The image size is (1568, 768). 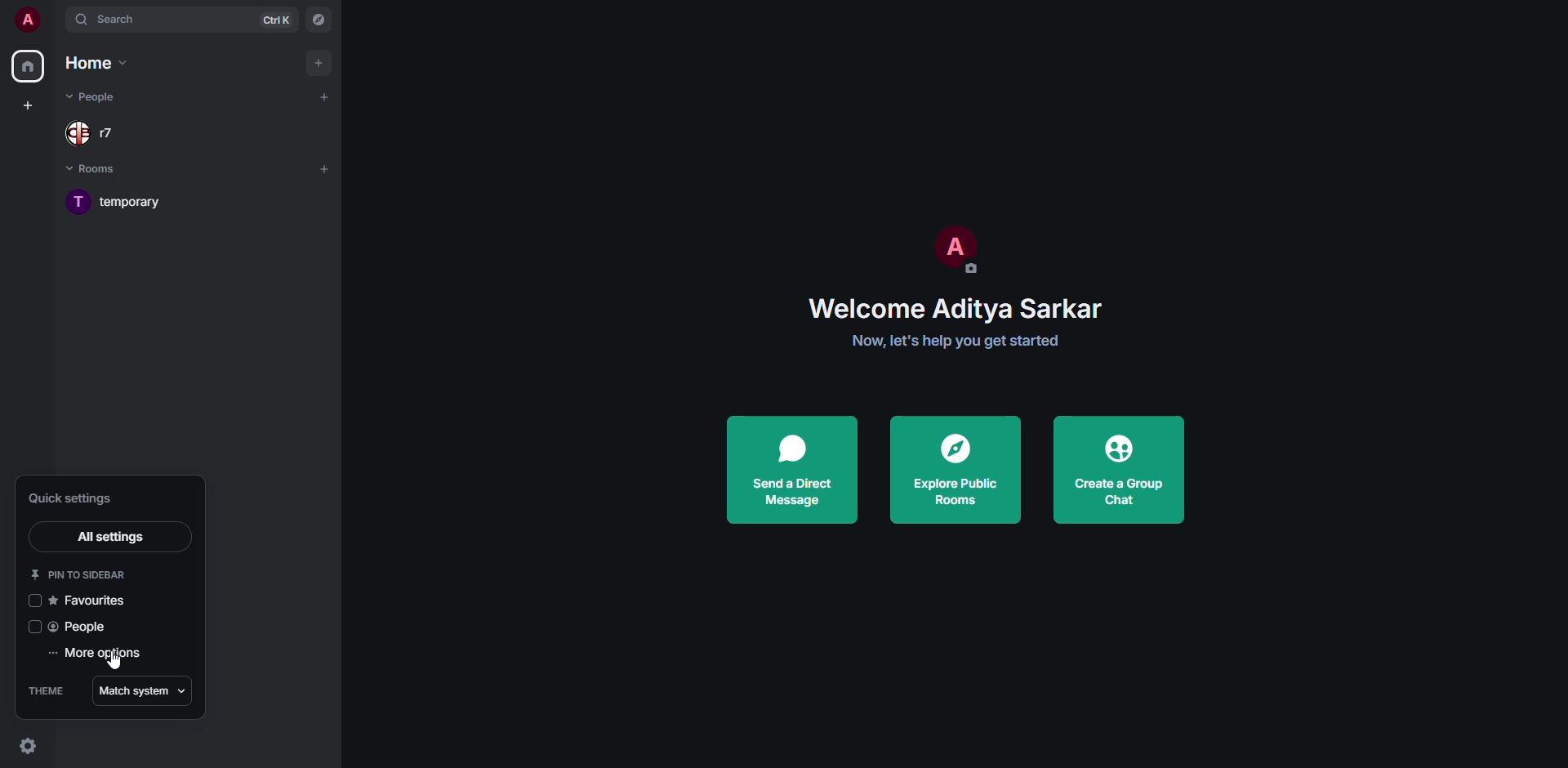 I want to click on click to enable, so click(x=34, y=601).